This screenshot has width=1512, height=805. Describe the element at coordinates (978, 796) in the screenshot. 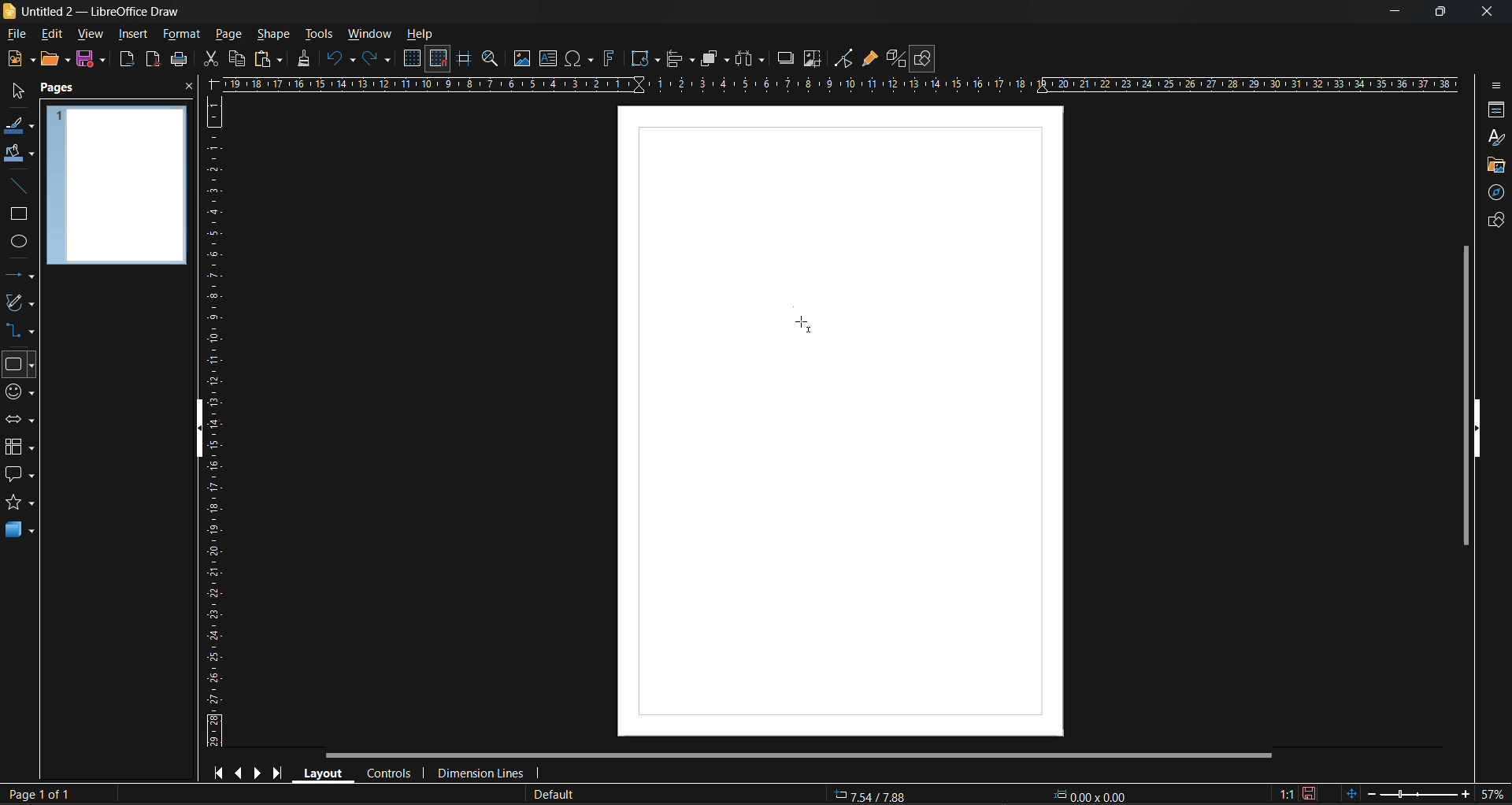

I see `coordinates` at that location.